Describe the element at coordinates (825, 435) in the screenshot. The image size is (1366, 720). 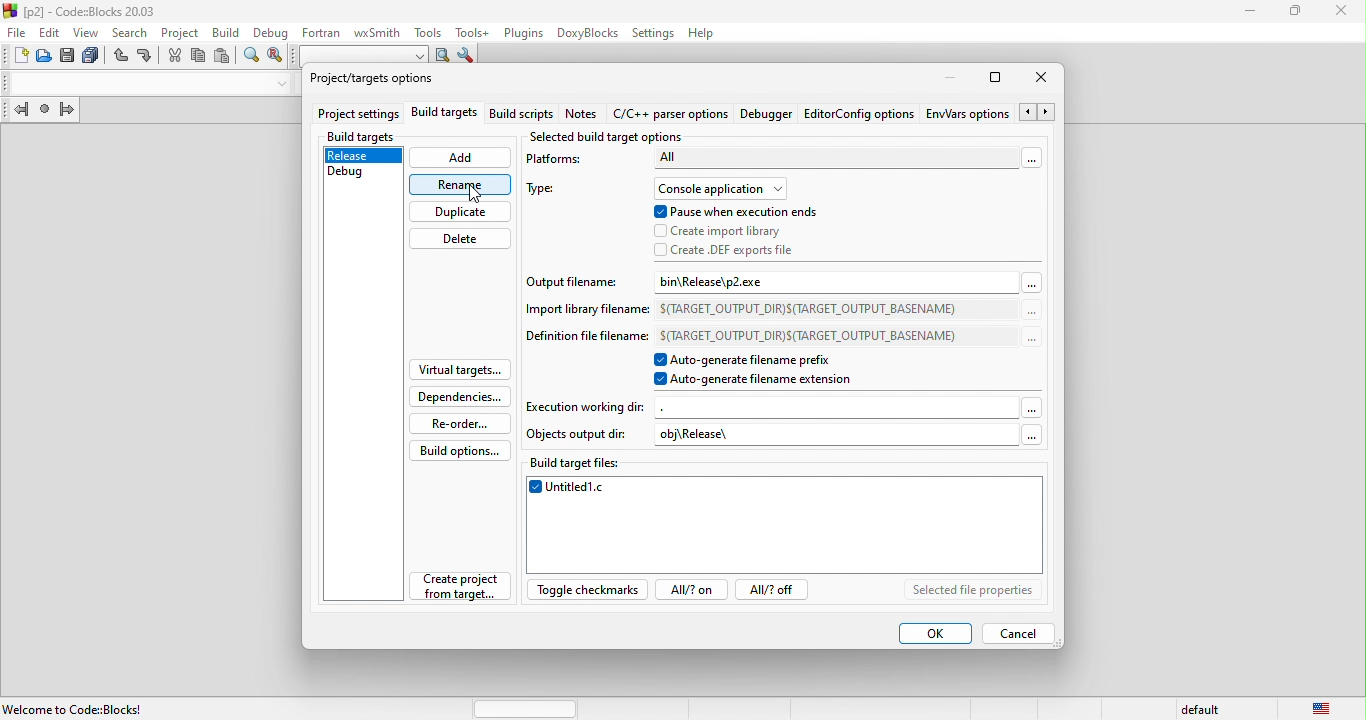
I see `ir obj\Release\` at that location.